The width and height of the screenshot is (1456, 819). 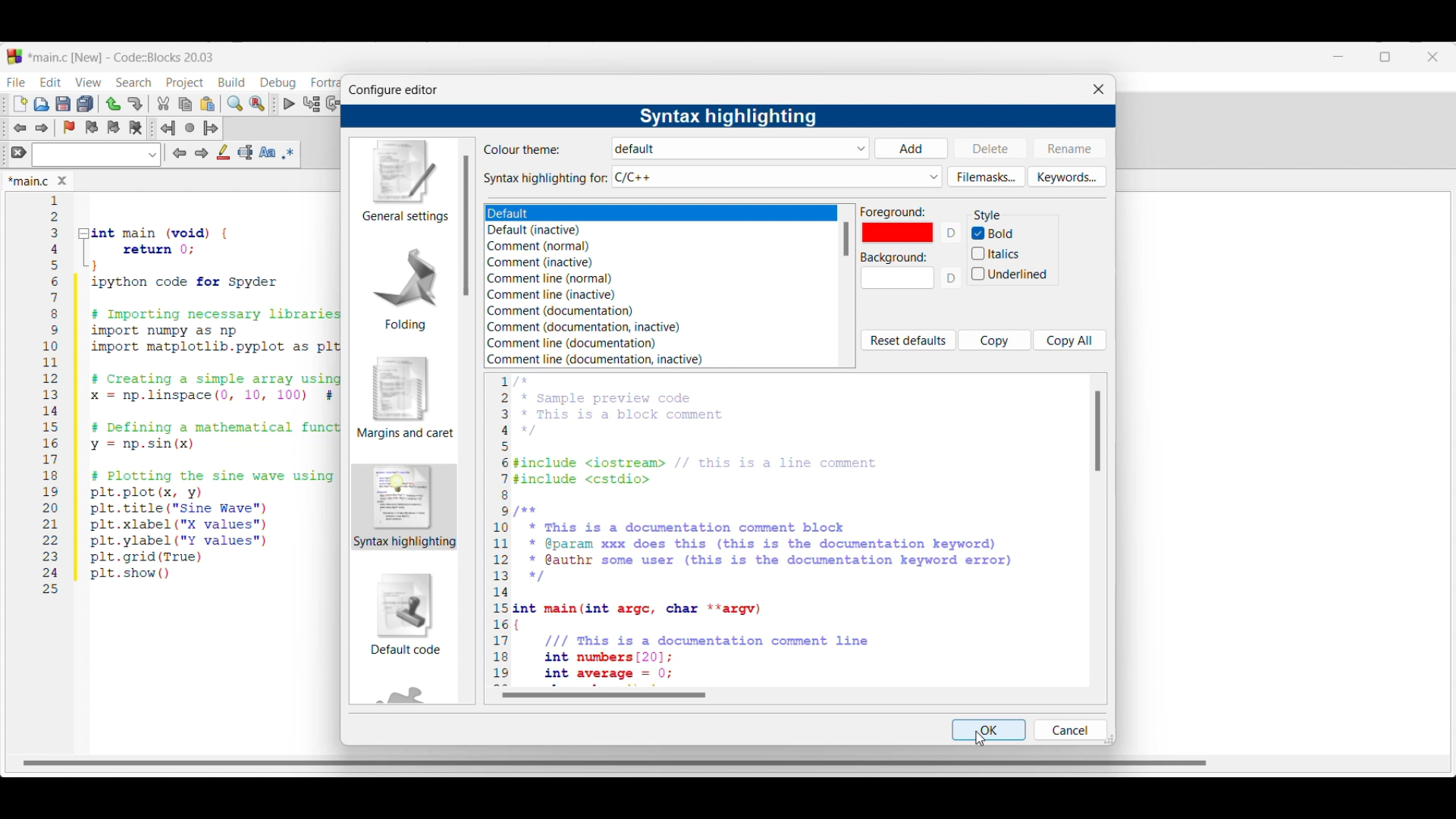 I want to click on Undo, so click(x=113, y=104).